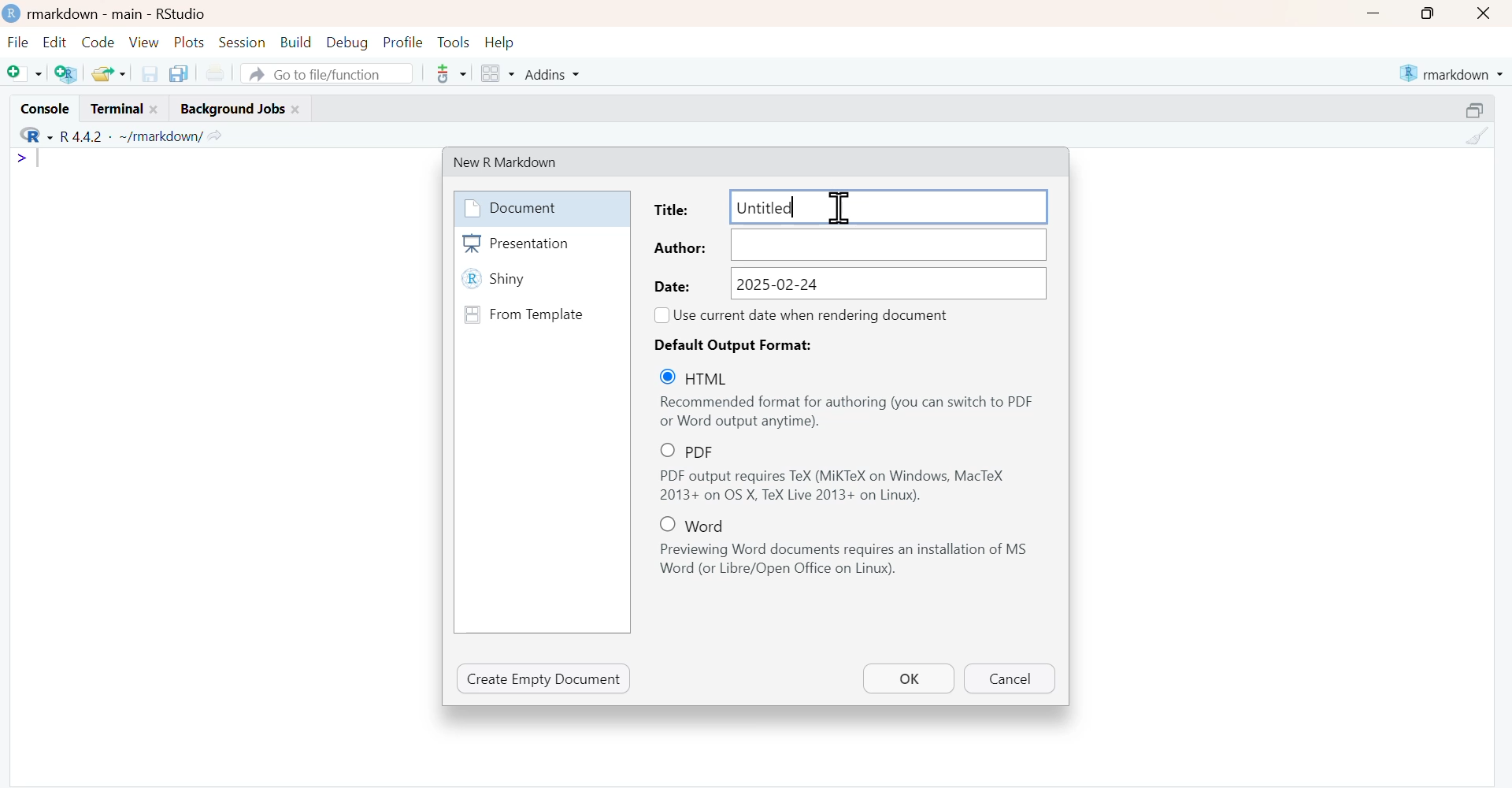  What do you see at coordinates (454, 43) in the screenshot?
I see `Tools` at bounding box center [454, 43].